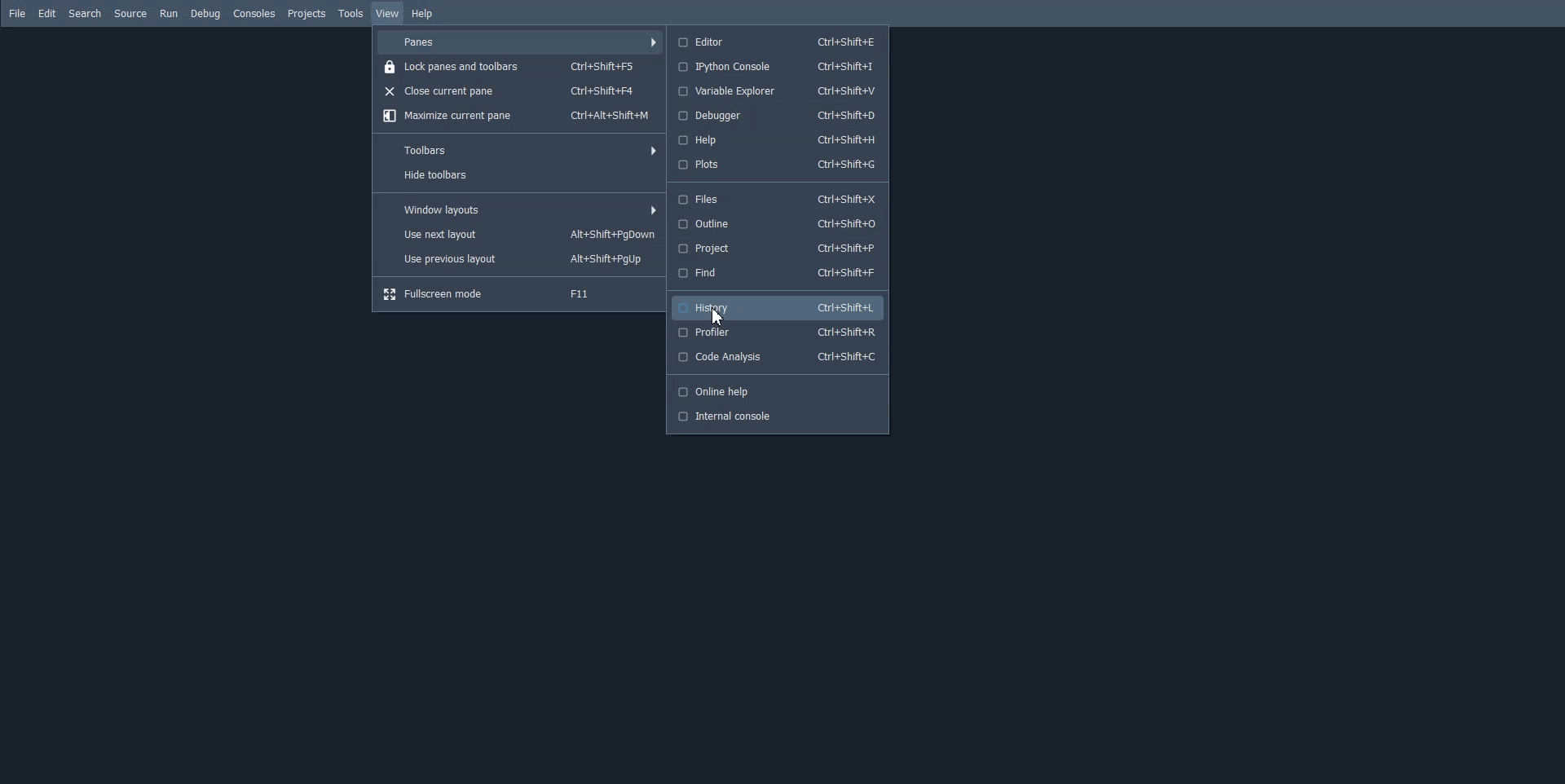 The height and width of the screenshot is (784, 1565). I want to click on Ipython Console, so click(775, 66).